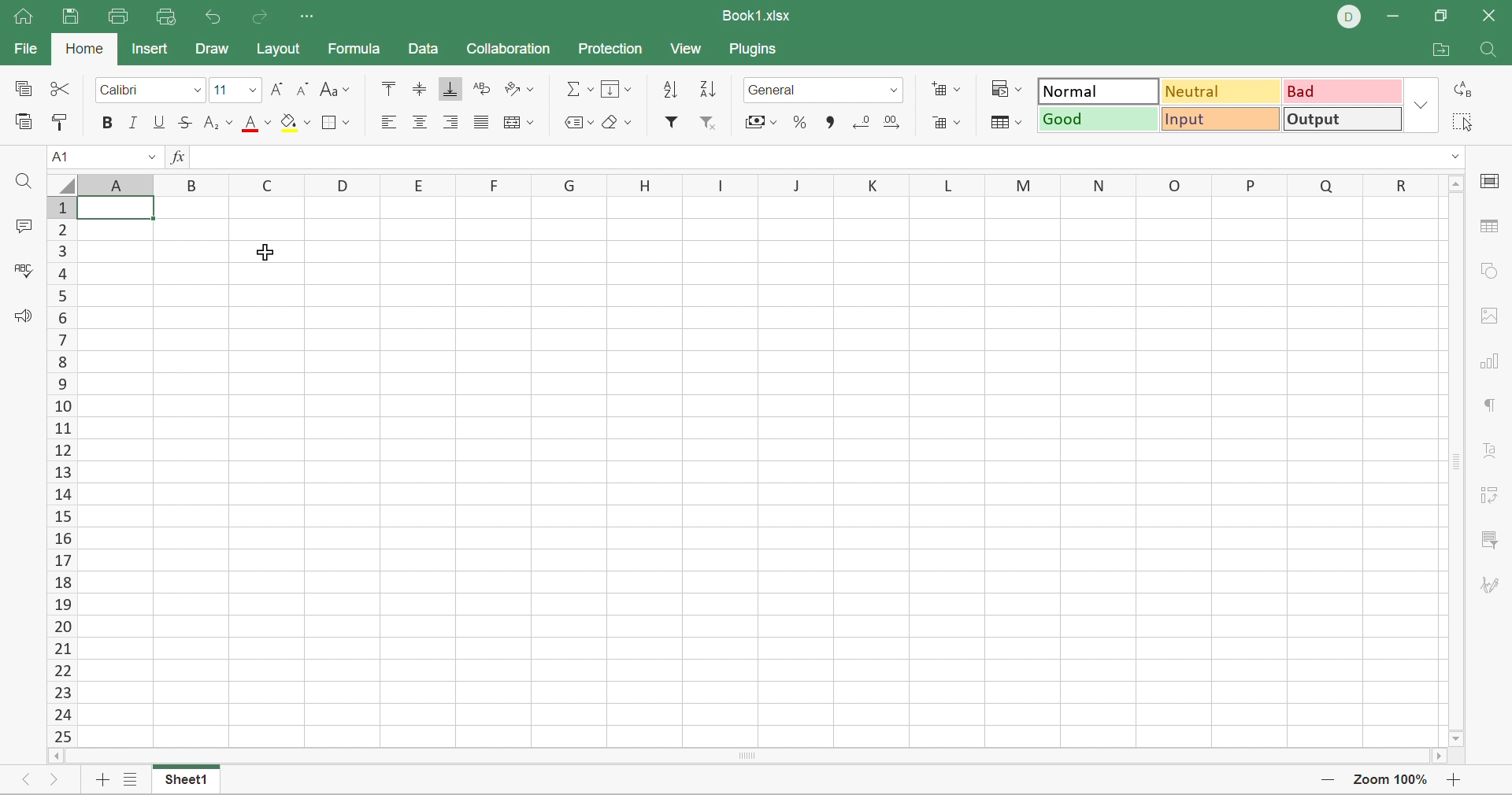 The width and height of the screenshot is (1512, 795). I want to click on Input, so click(1221, 120).